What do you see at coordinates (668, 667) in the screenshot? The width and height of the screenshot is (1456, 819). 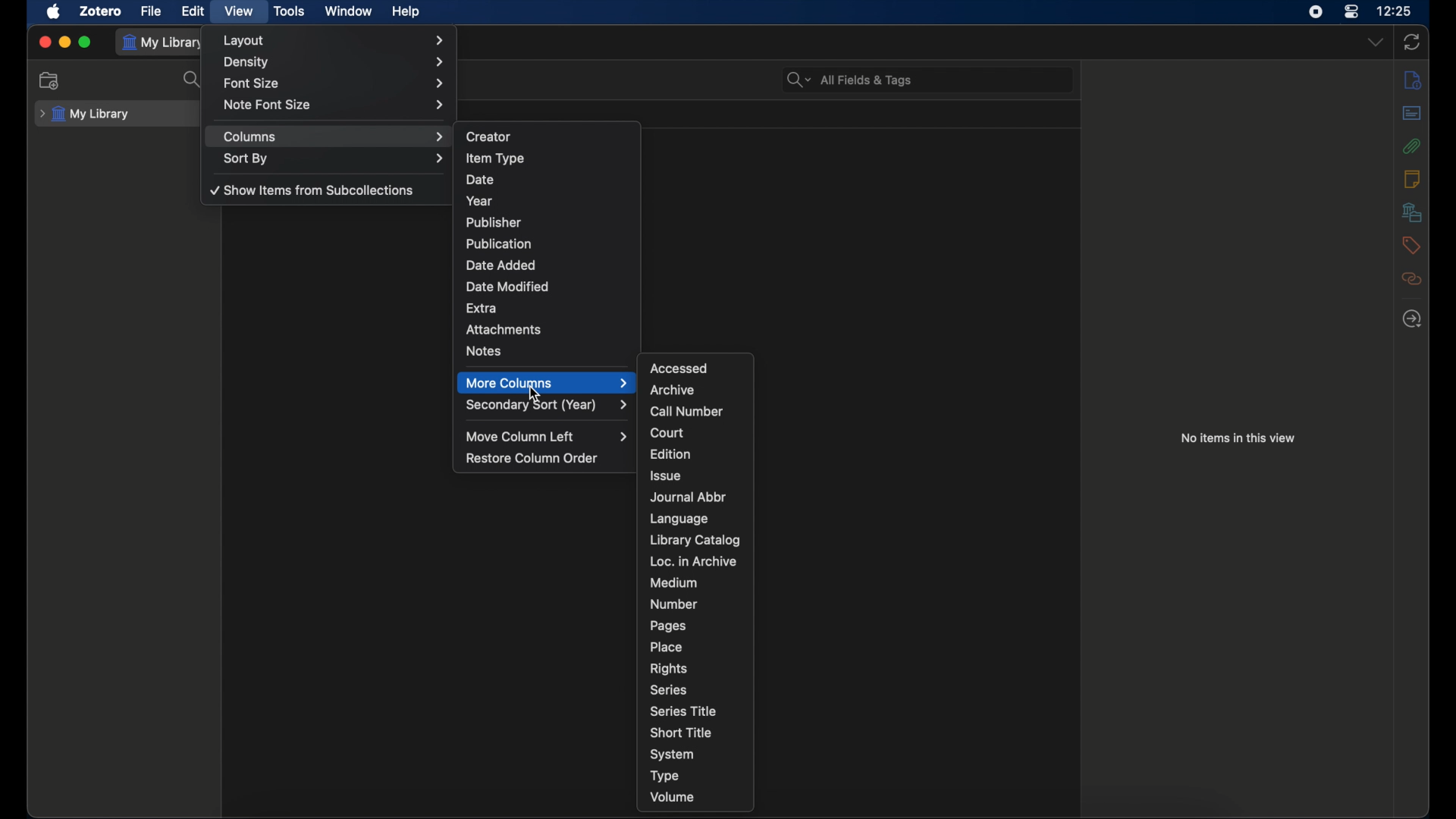 I see `rights` at bounding box center [668, 667].